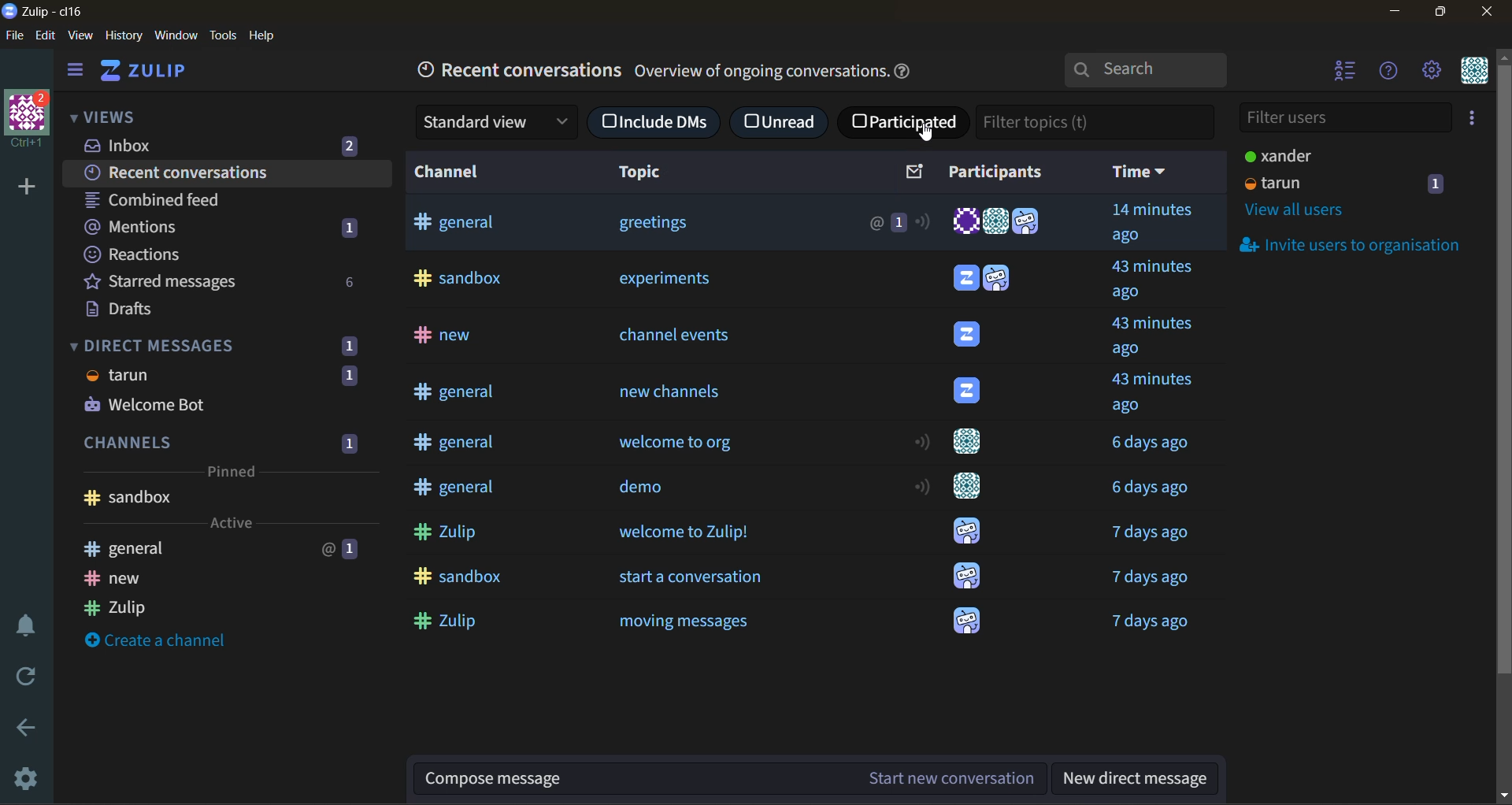 The image size is (1512, 805). Describe the element at coordinates (124, 35) in the screenshot. I see `history` at that location.